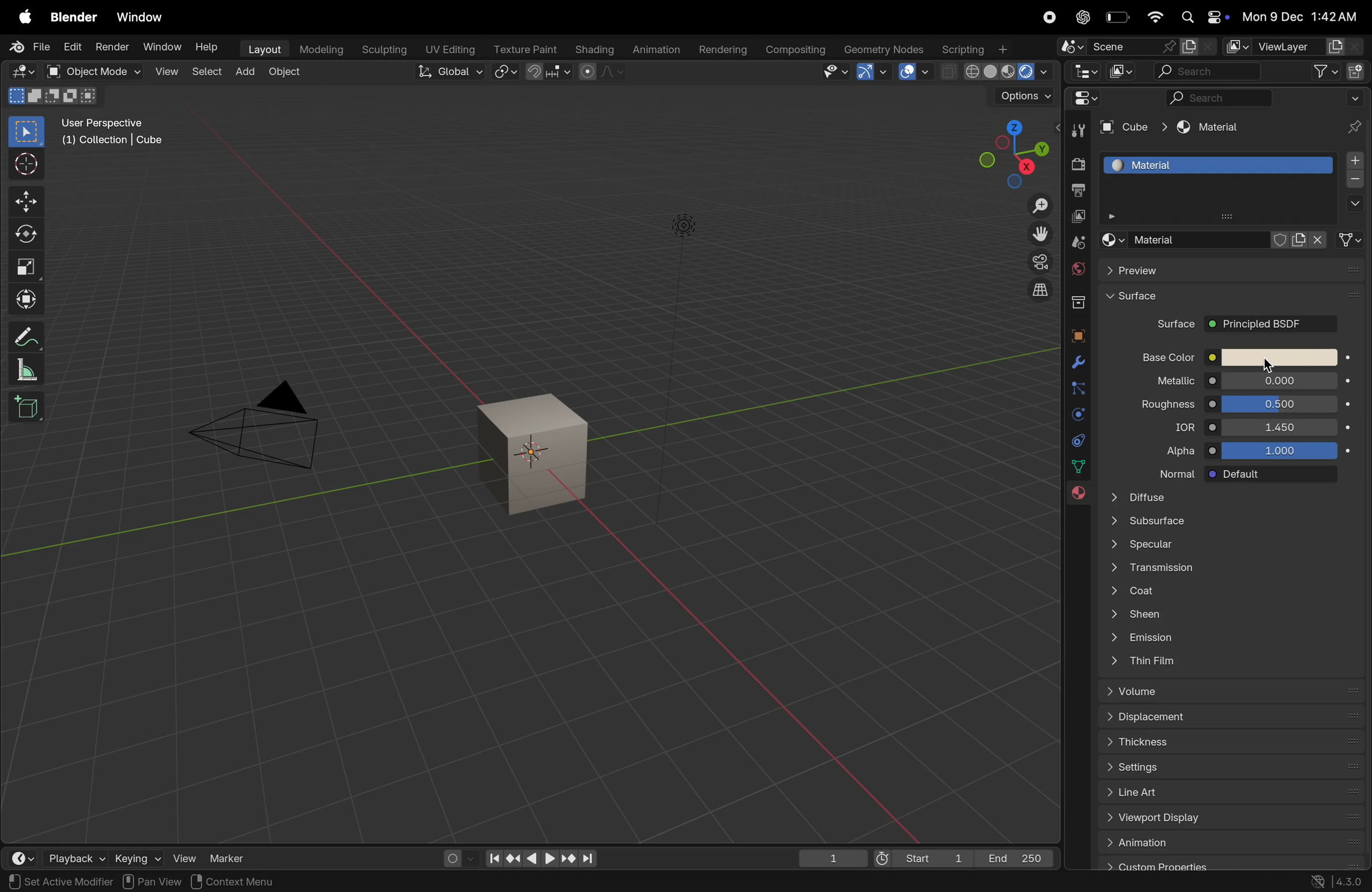 This screenshot has height=892, width=1372. What do you see at coordinates (833, 859) in the screenshot?
I see `1` at bounding box center [833, 859].